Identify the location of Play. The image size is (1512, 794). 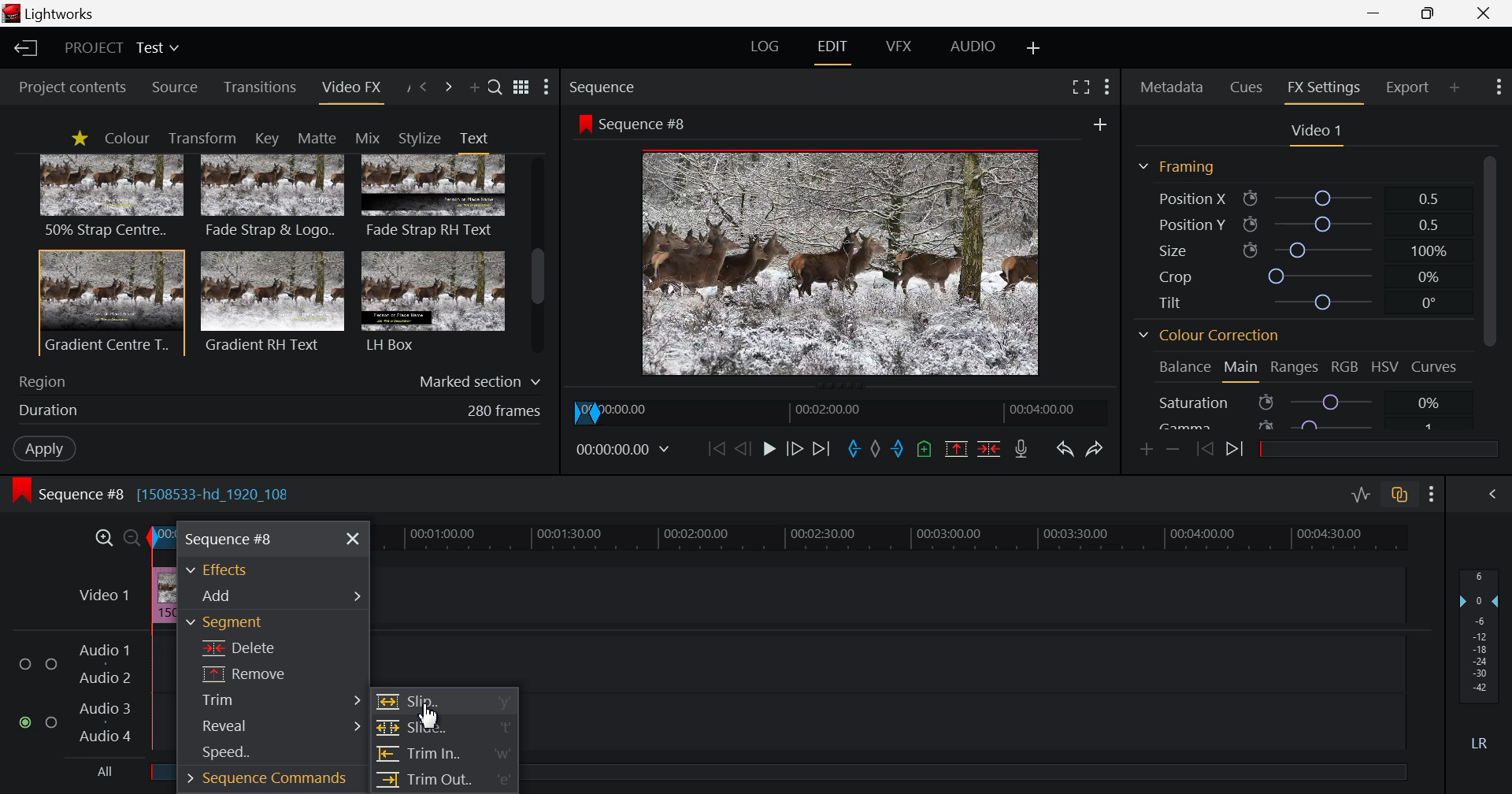
(769, 450).